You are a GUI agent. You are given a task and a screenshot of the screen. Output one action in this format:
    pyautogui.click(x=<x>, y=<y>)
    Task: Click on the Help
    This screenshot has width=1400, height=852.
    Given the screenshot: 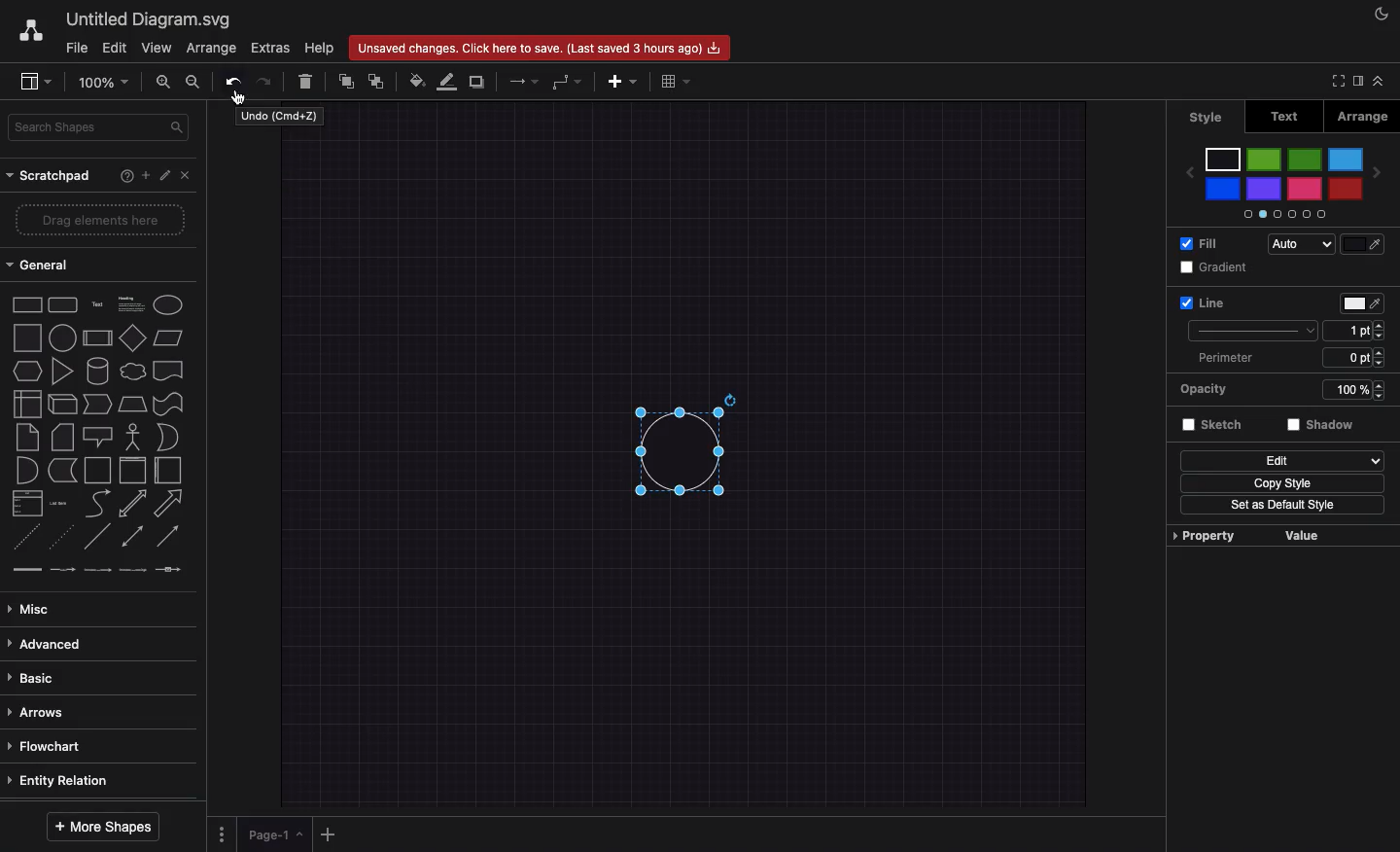 What is the action you would take?
    pyautogui.click(x=319, y=45)
    